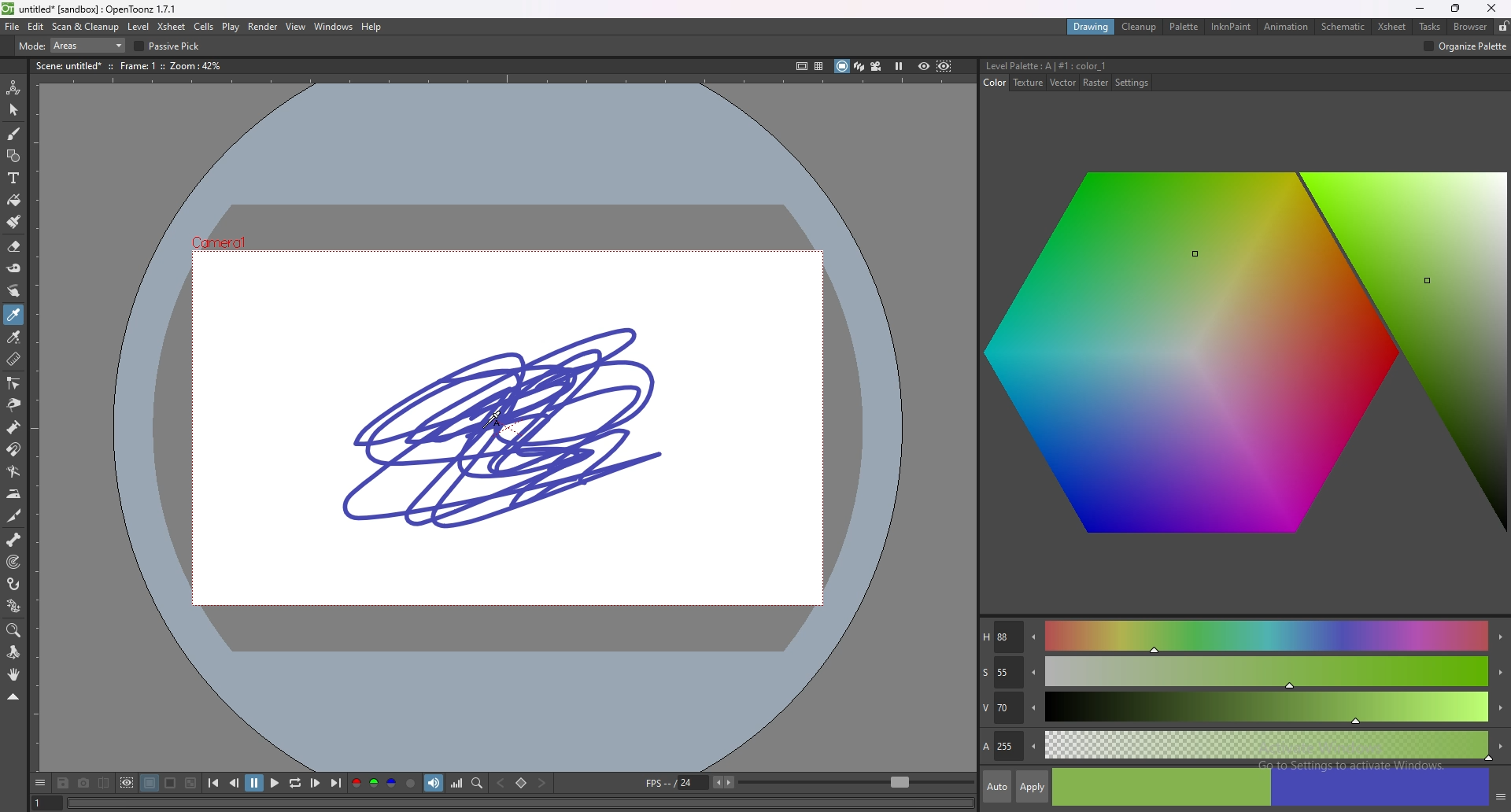  I want to click on fps, so click(690, 782).